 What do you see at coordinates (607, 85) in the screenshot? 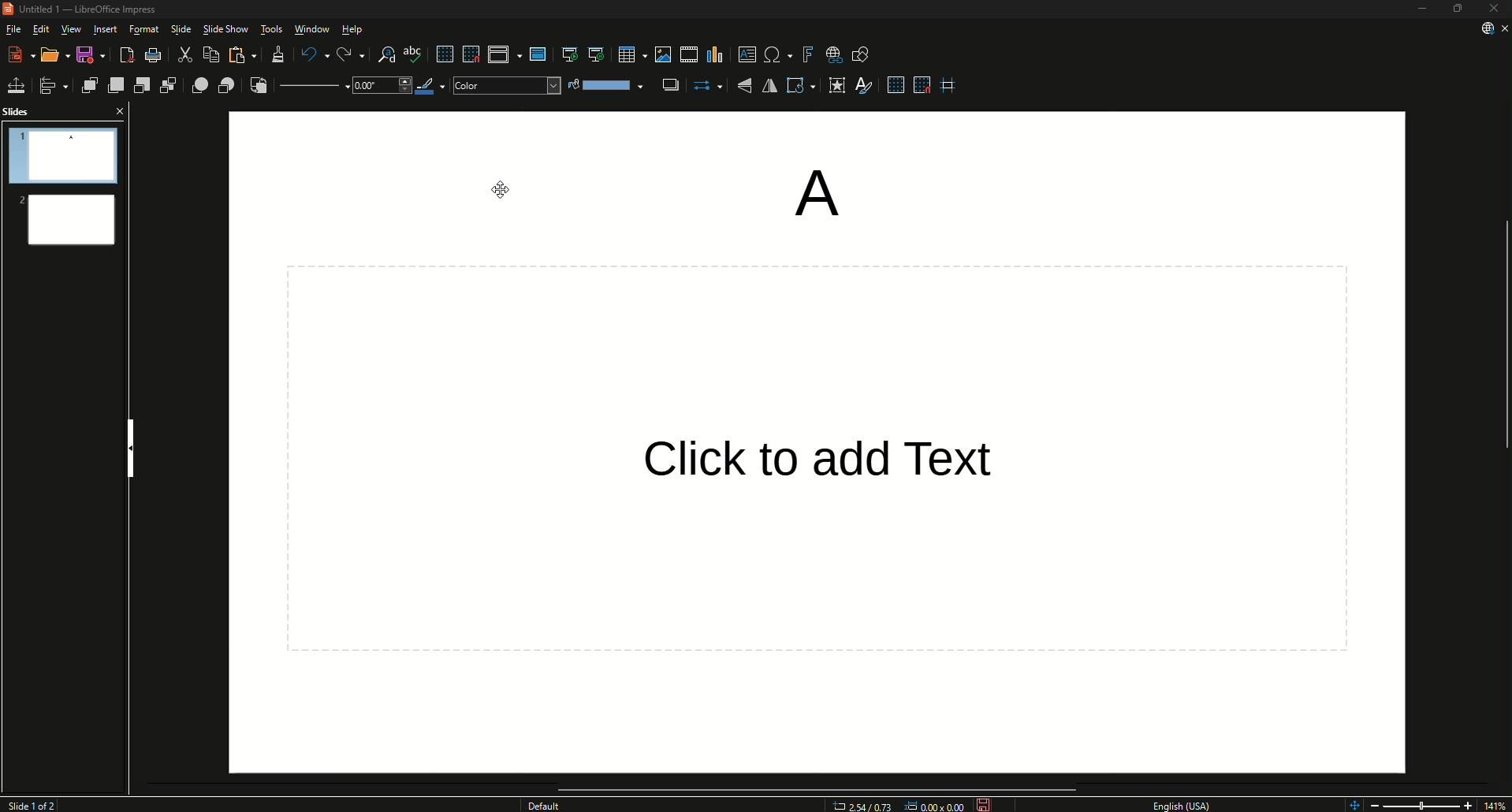
I see `Fill Colour` at bounding box center [607, 85].